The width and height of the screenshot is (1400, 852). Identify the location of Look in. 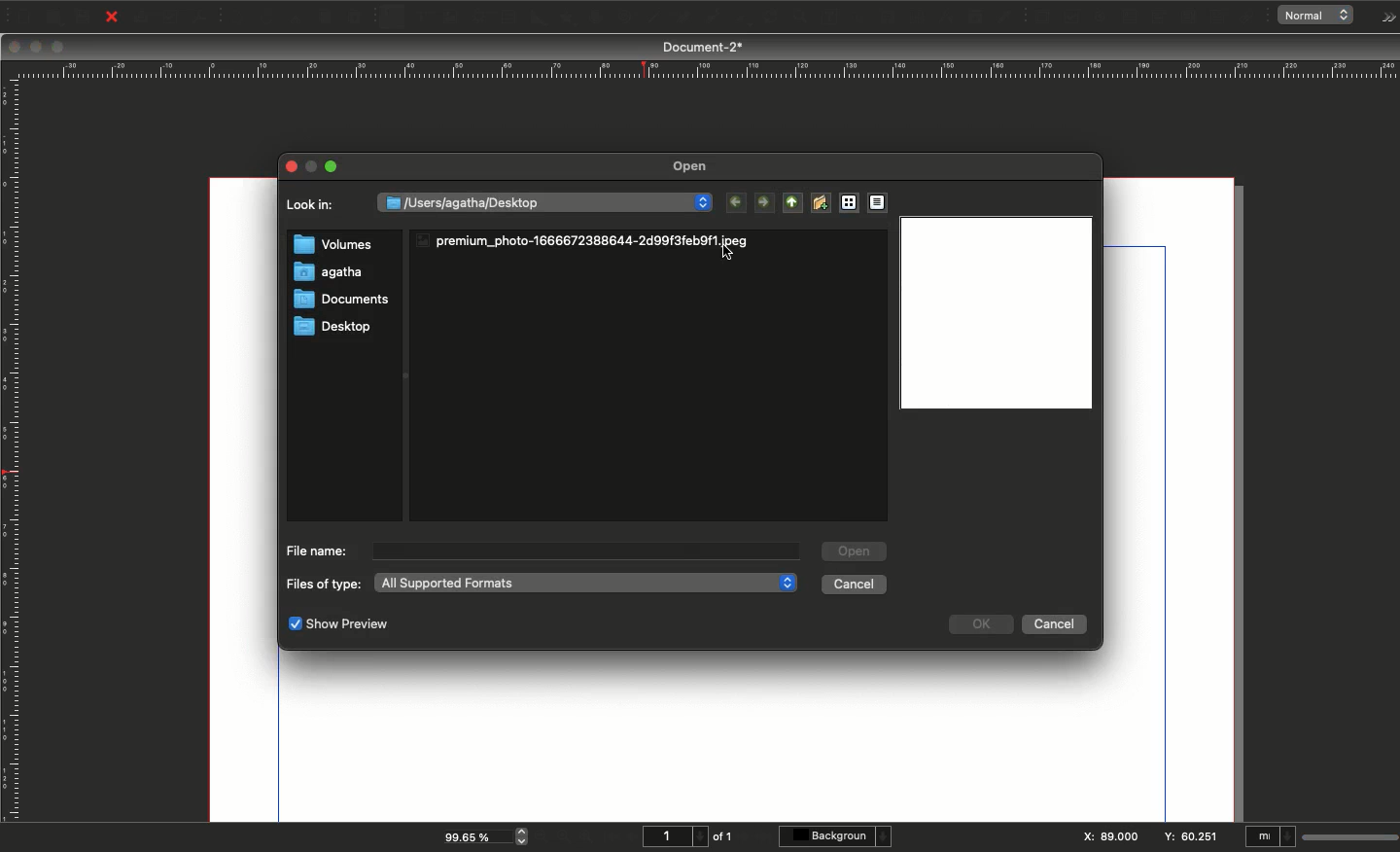
(314, 210).